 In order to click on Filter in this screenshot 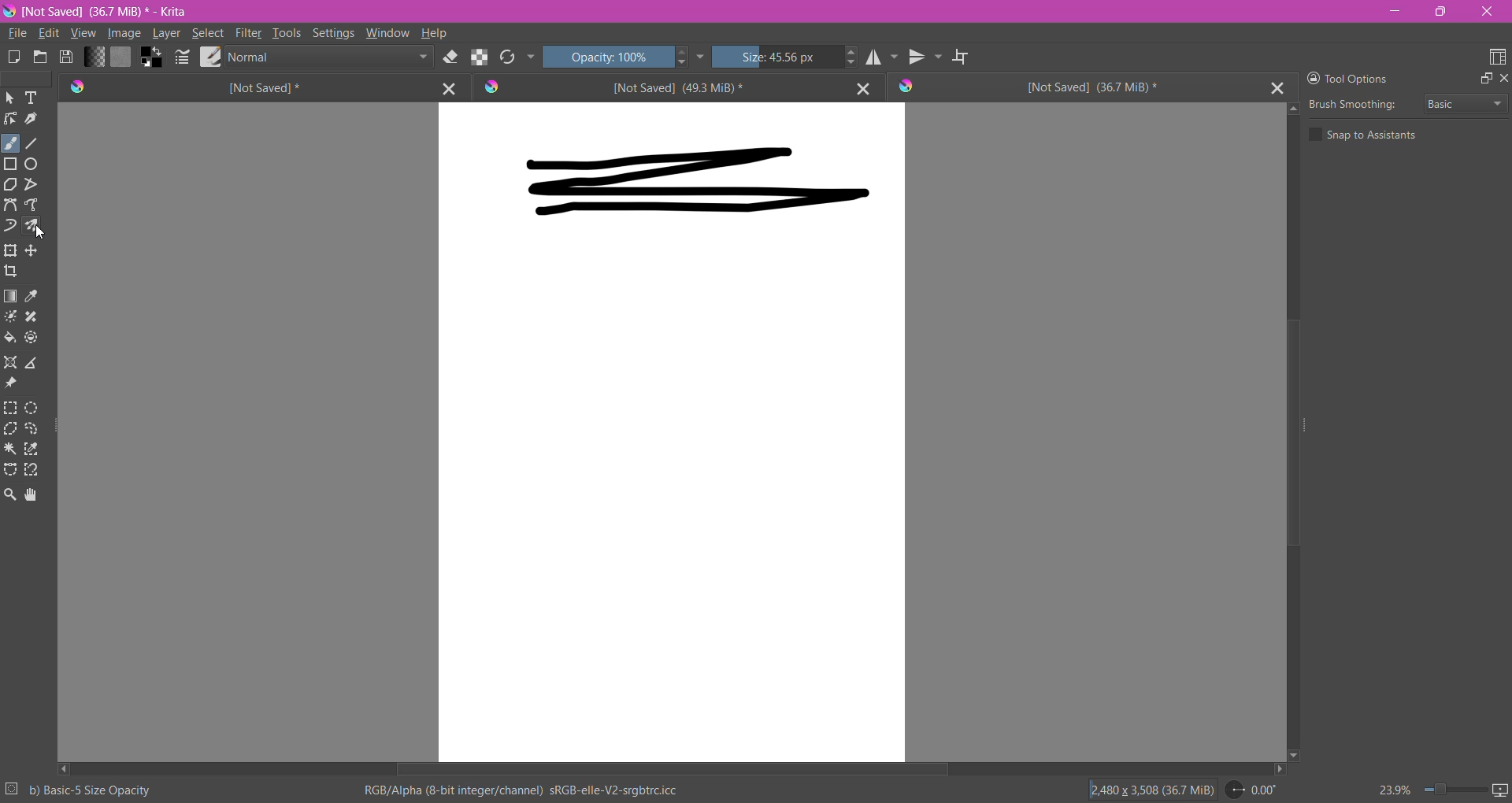, I will do `click(248, 33)`.